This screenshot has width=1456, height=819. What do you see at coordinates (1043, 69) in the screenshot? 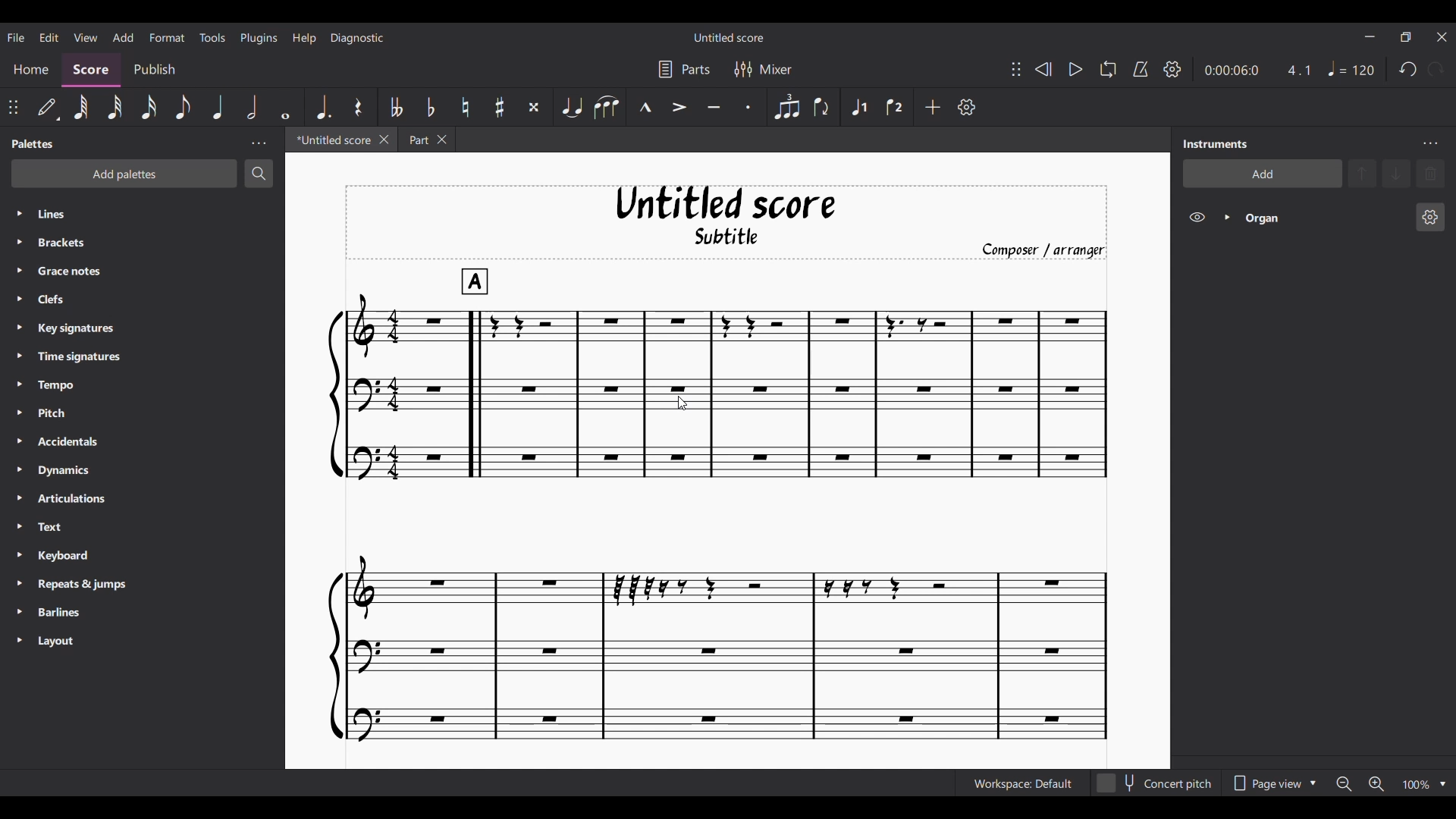
I see `Rewind` at bounding box center [1043, 69].